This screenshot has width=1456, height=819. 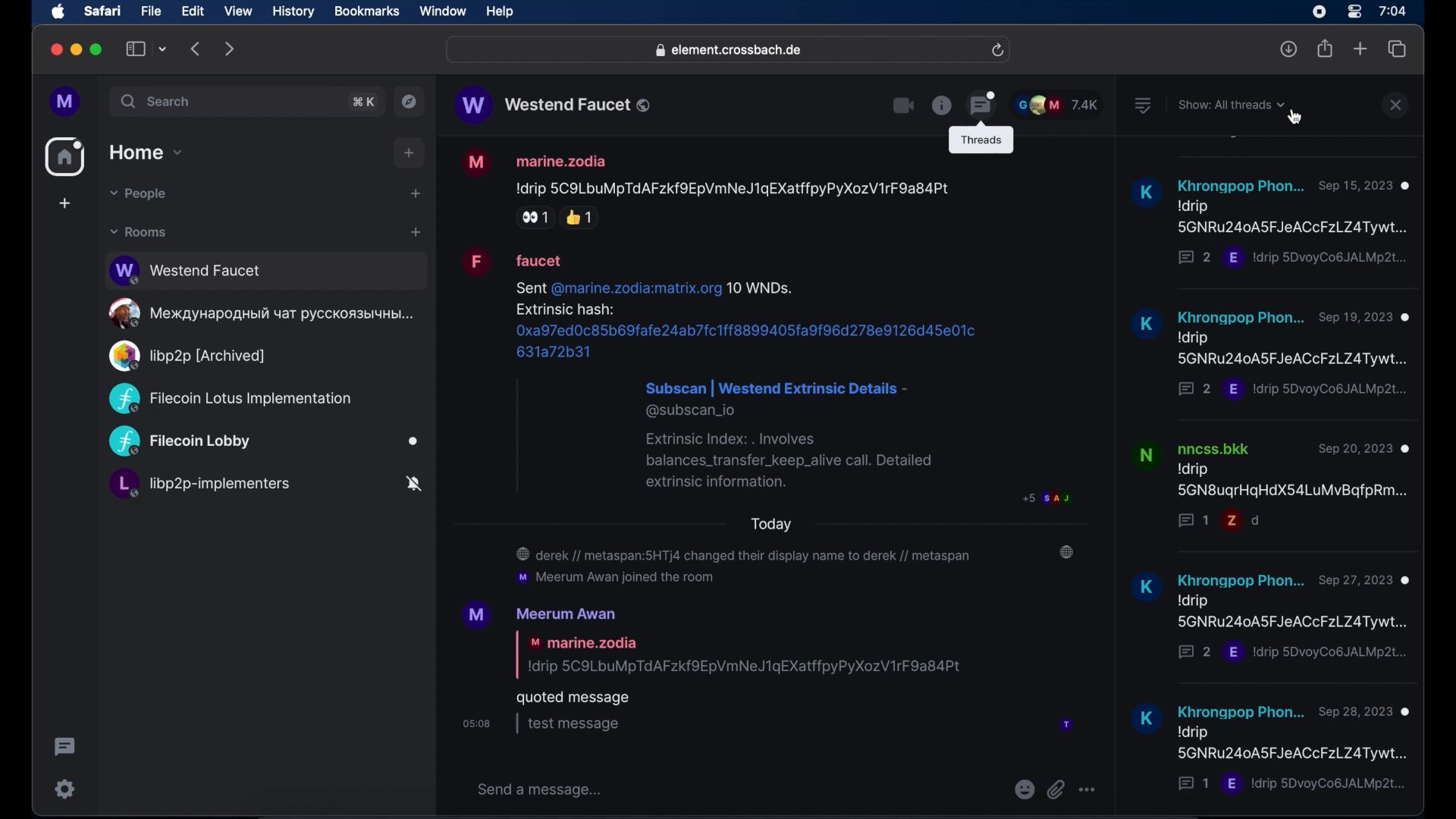 I want to click on rooms dropdown, so click(x=140, y=233).